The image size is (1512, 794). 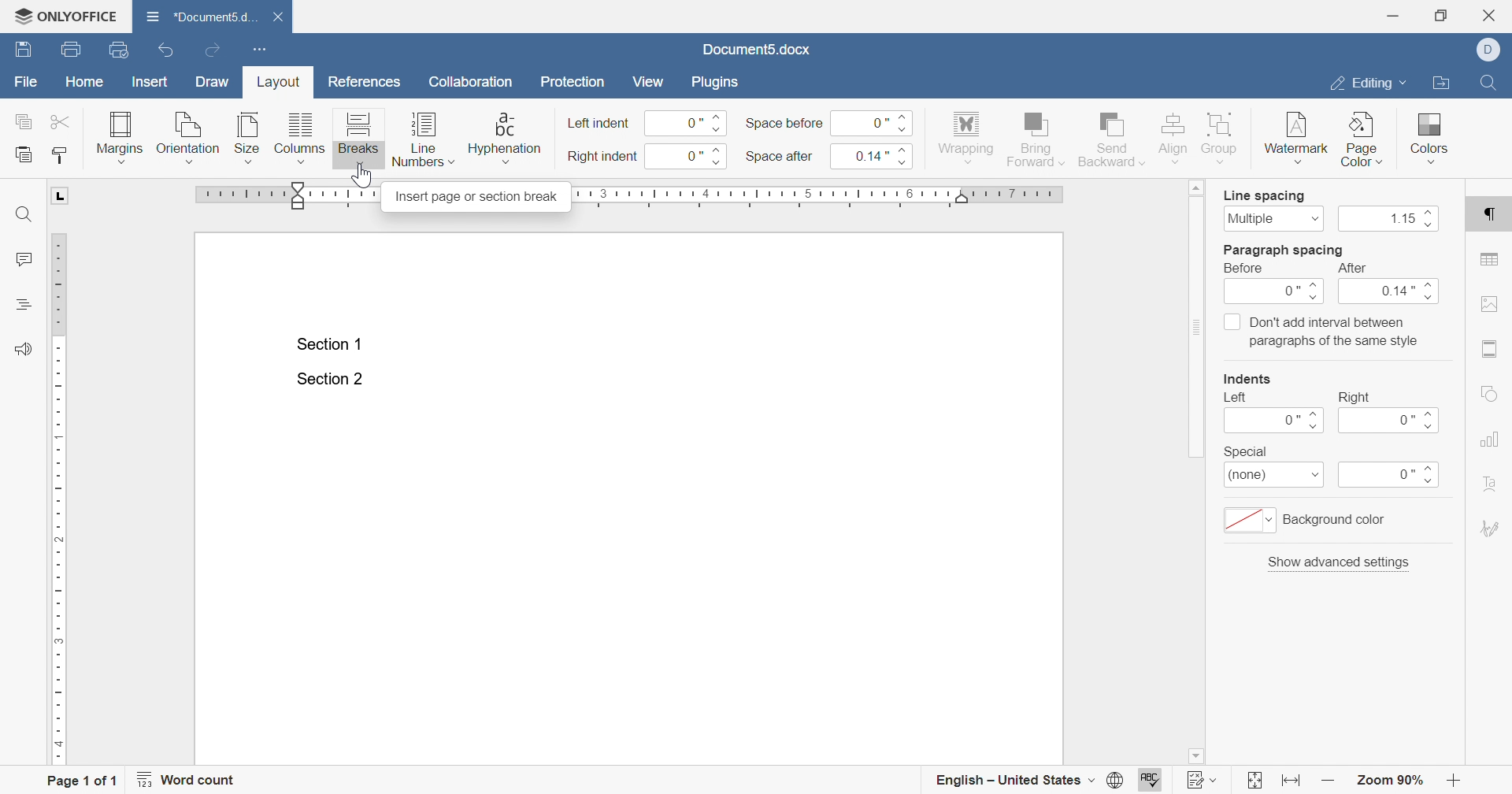 I want to click on Section 2, so click(x=329, y=380).